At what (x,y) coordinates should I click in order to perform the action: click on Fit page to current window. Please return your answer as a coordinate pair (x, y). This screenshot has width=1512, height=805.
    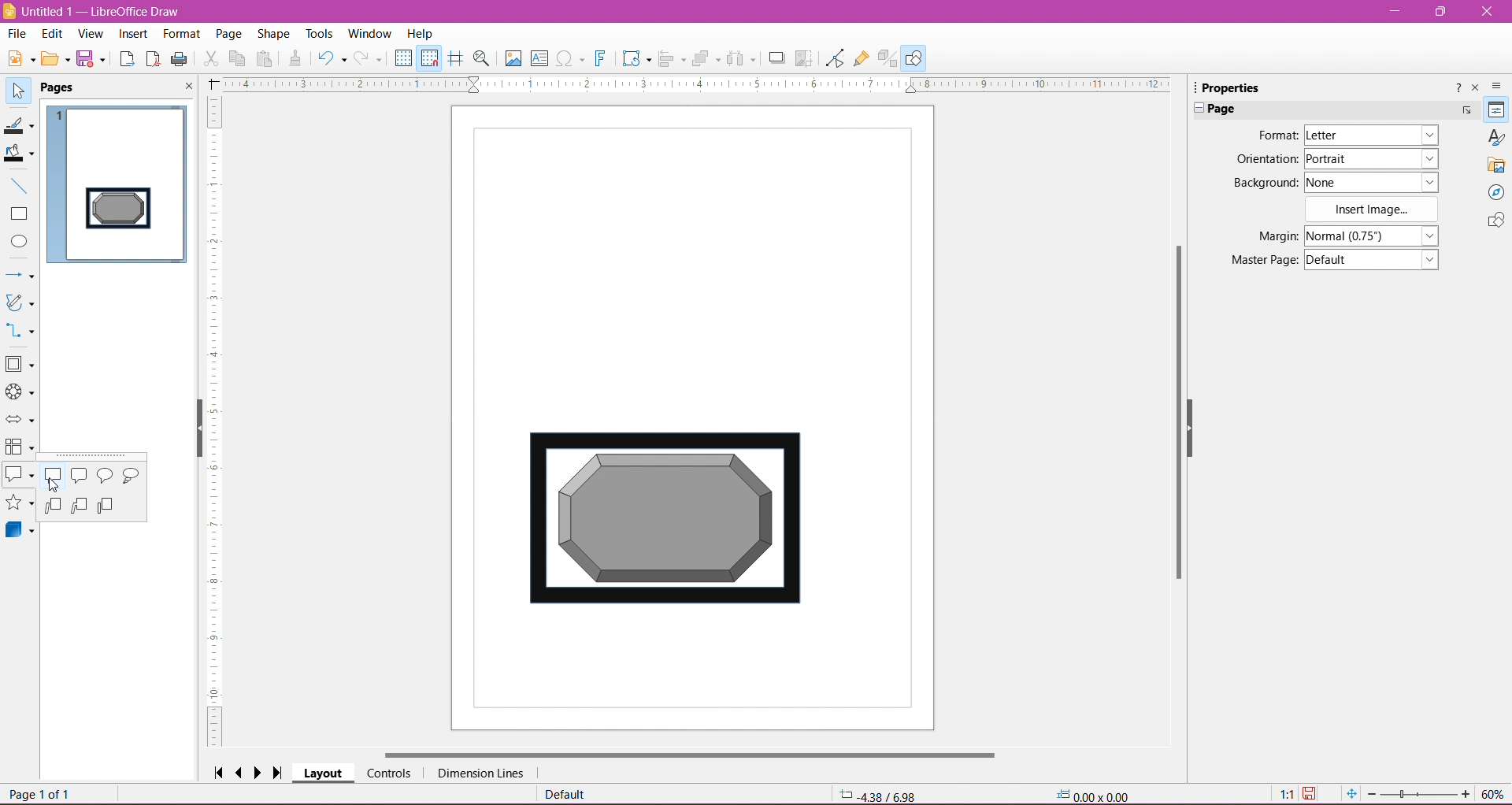
    Looking at the image, I should click on (1351, 794).